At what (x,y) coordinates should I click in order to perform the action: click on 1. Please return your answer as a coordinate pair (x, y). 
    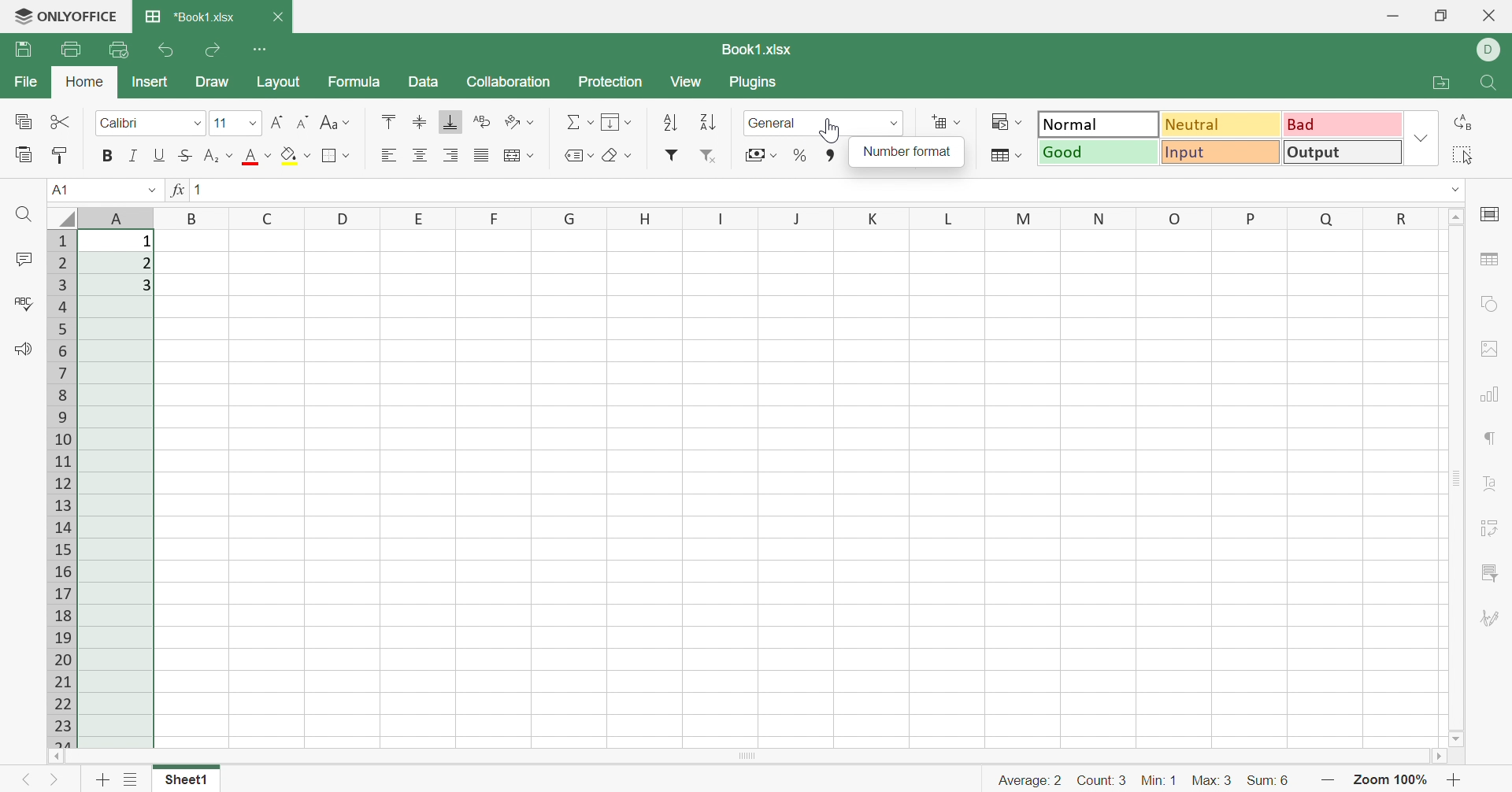
    Looking at the image, I should click on (147, 242).